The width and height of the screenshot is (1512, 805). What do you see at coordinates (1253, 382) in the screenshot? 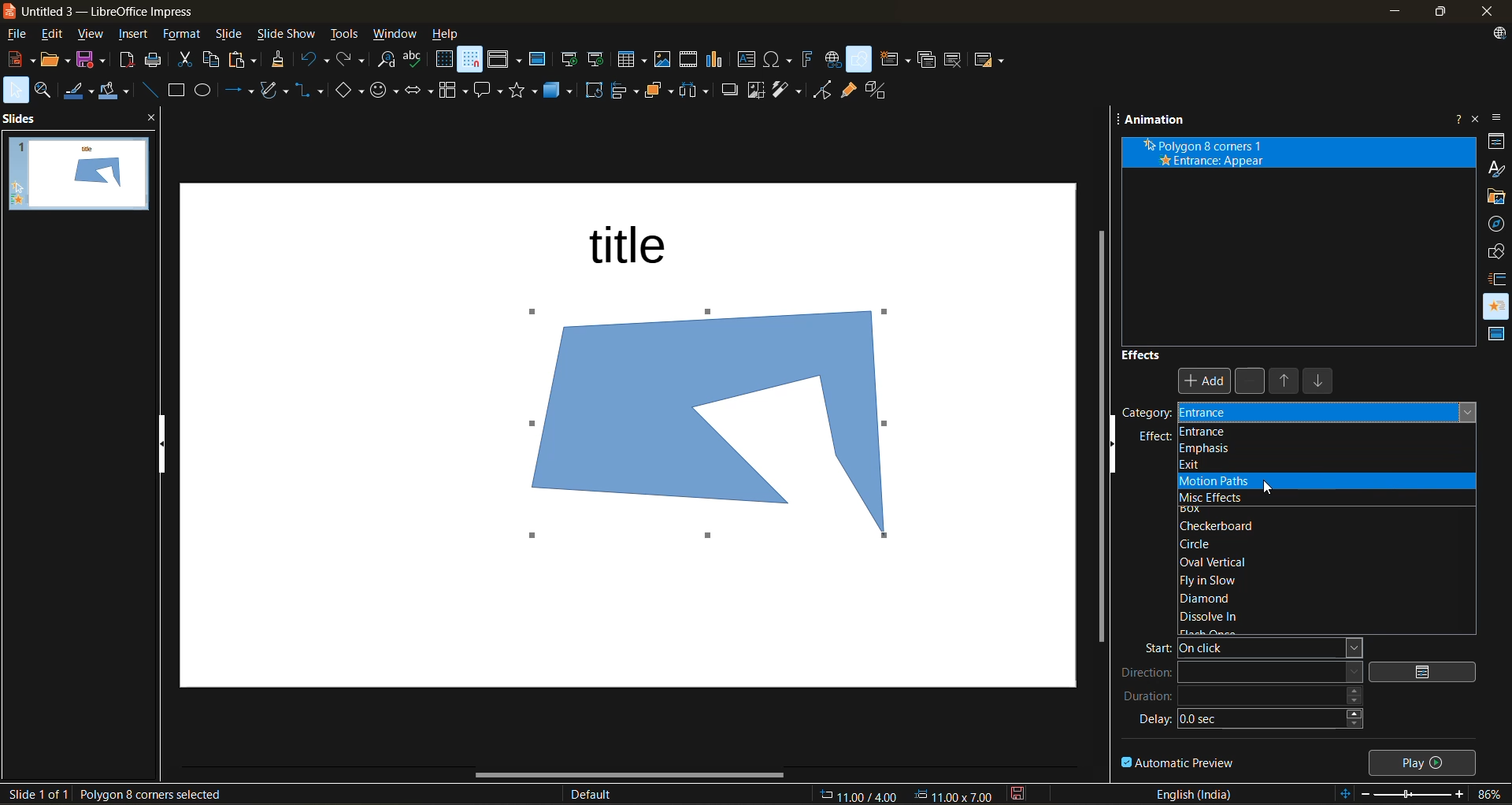
I see `remove effect` at bounding box center [1253, 382].